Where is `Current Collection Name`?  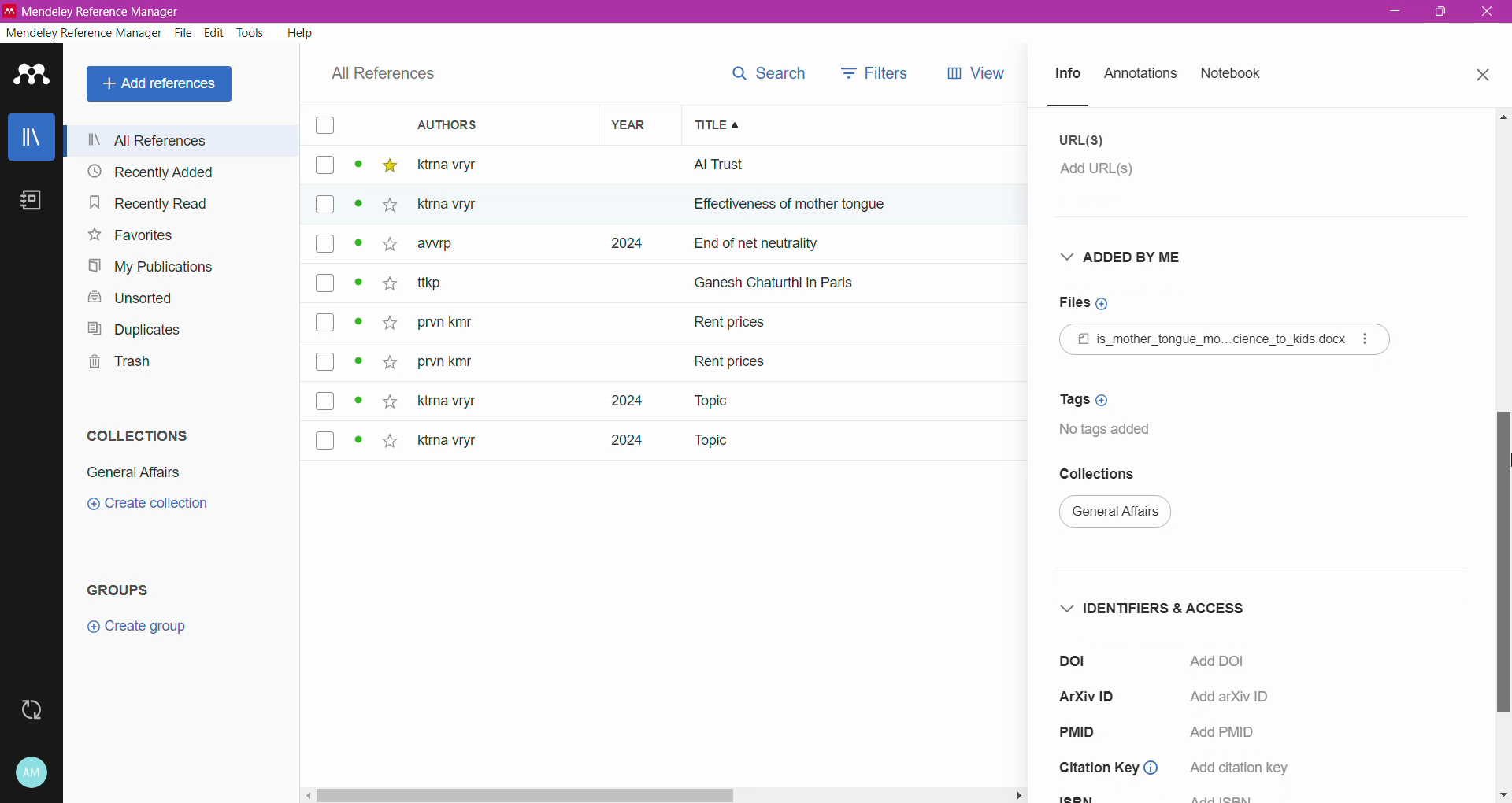 Current Collection Name is located at coordinates (1117, 514).